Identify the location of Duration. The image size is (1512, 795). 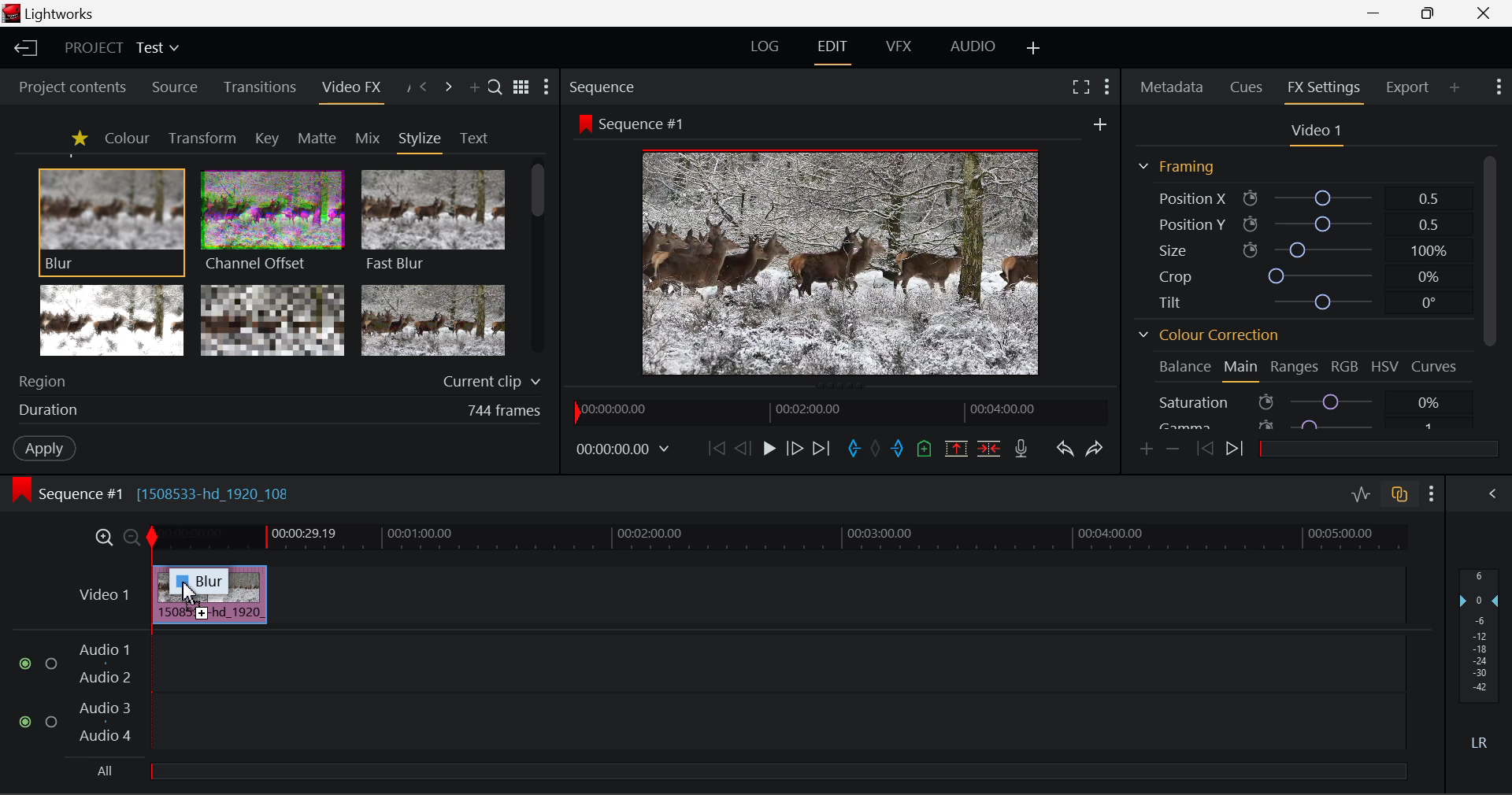
(276, 412).